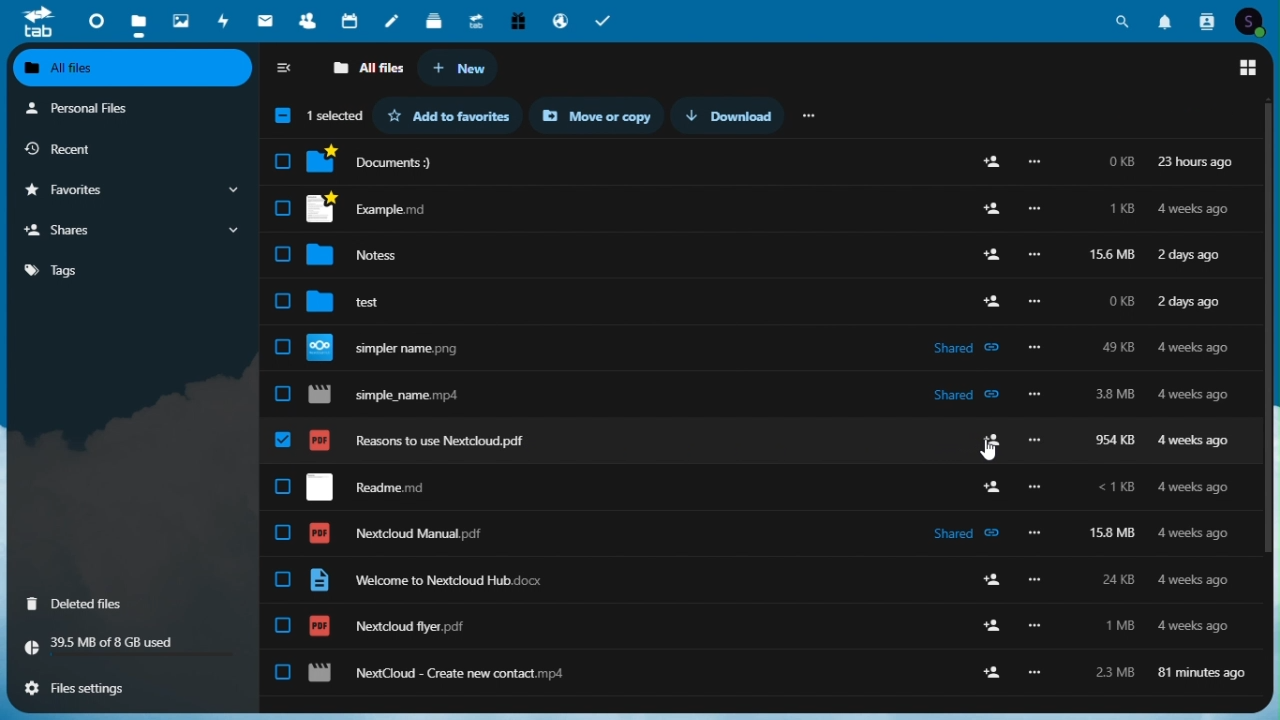 The width and height of the screenshot is (1280, 720). What do you see at coordinates (399, 347) in the screenshot?
I see `simpler name.png` at bounding box center [399, 347].